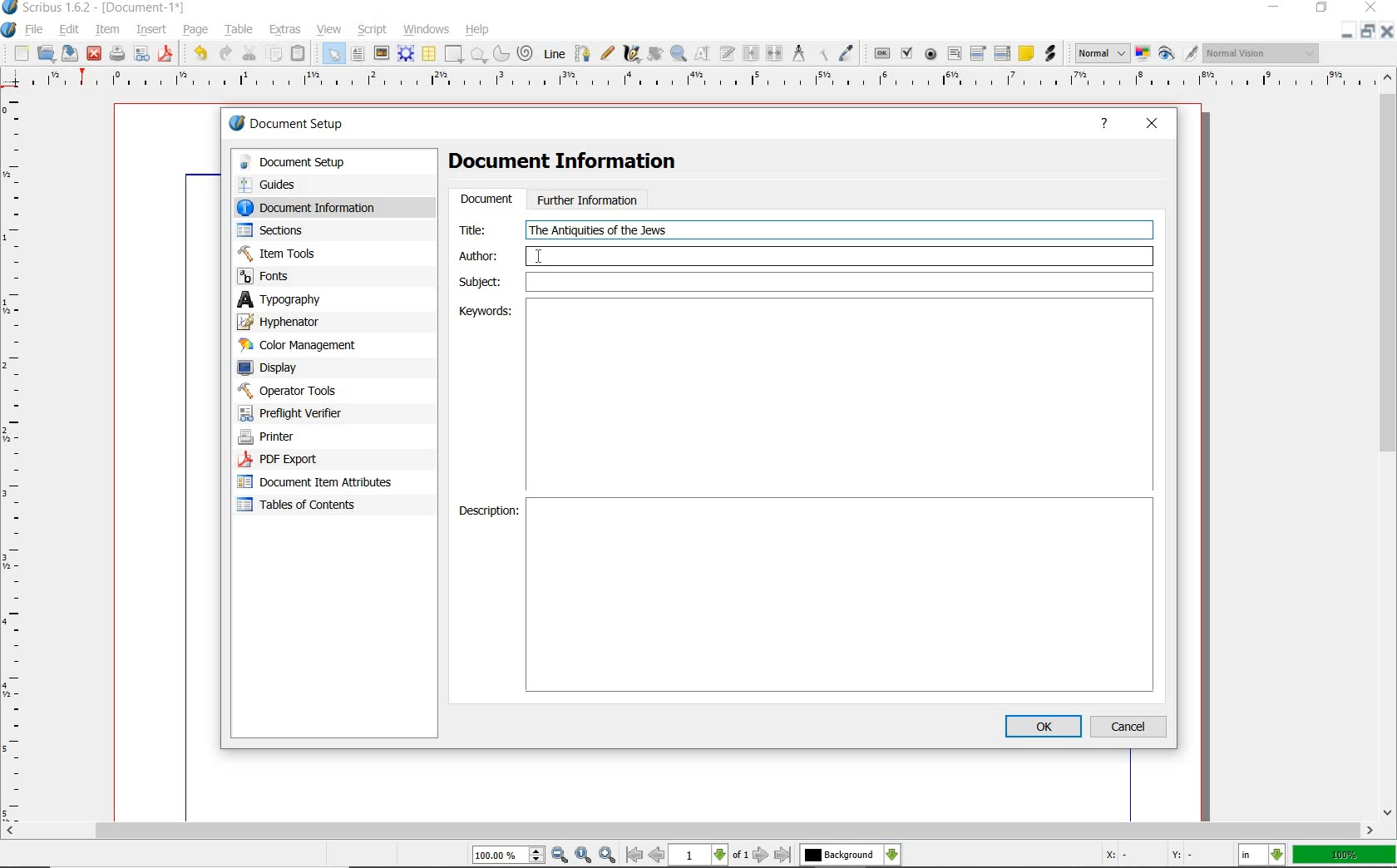 This screenshot has height=868, width=1397. I want to click on text frame, so click(358, 54).